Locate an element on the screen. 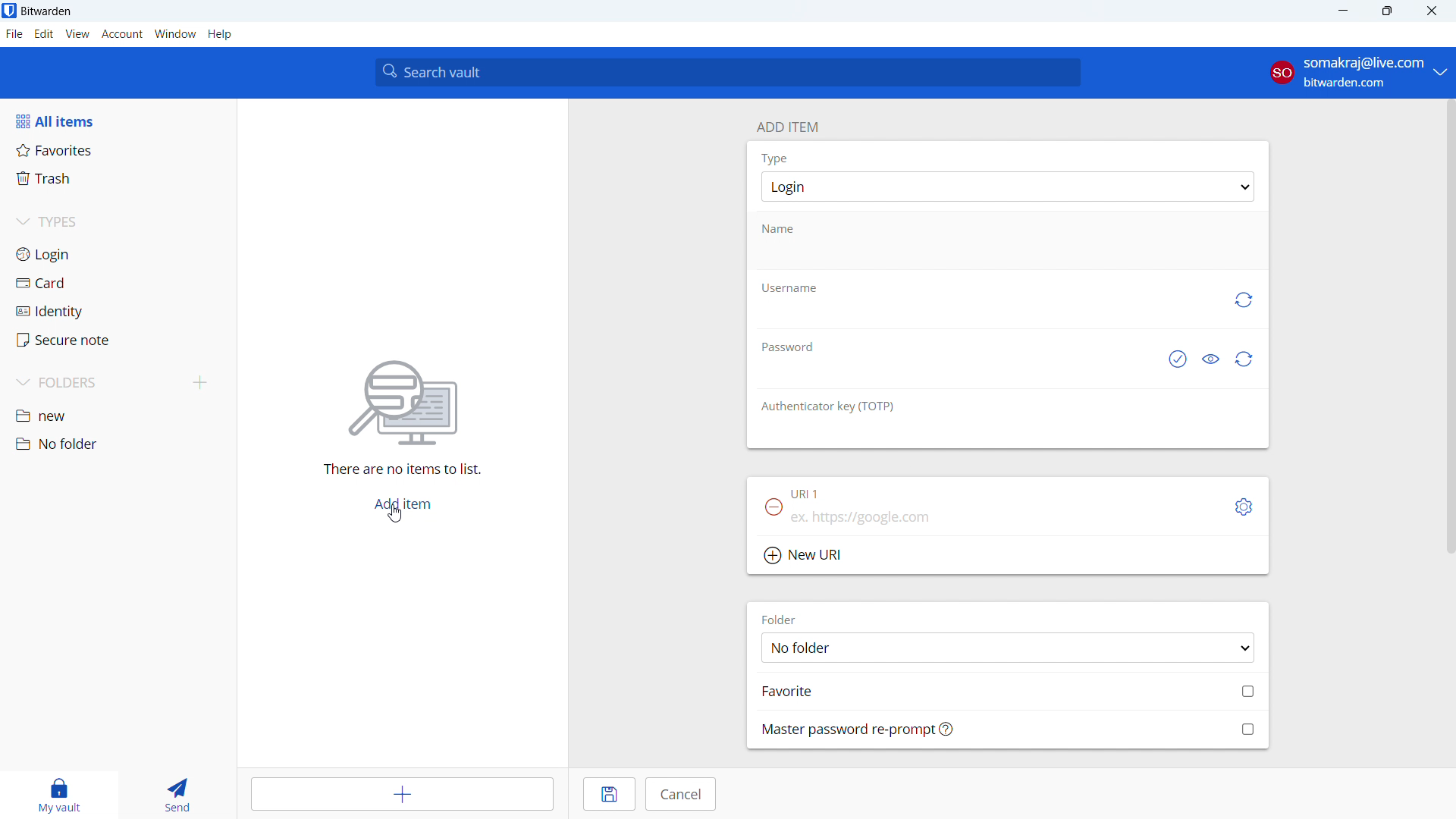 The width and height of the screenshot is (1456, 819). Type is located at coordinates (774, 158).